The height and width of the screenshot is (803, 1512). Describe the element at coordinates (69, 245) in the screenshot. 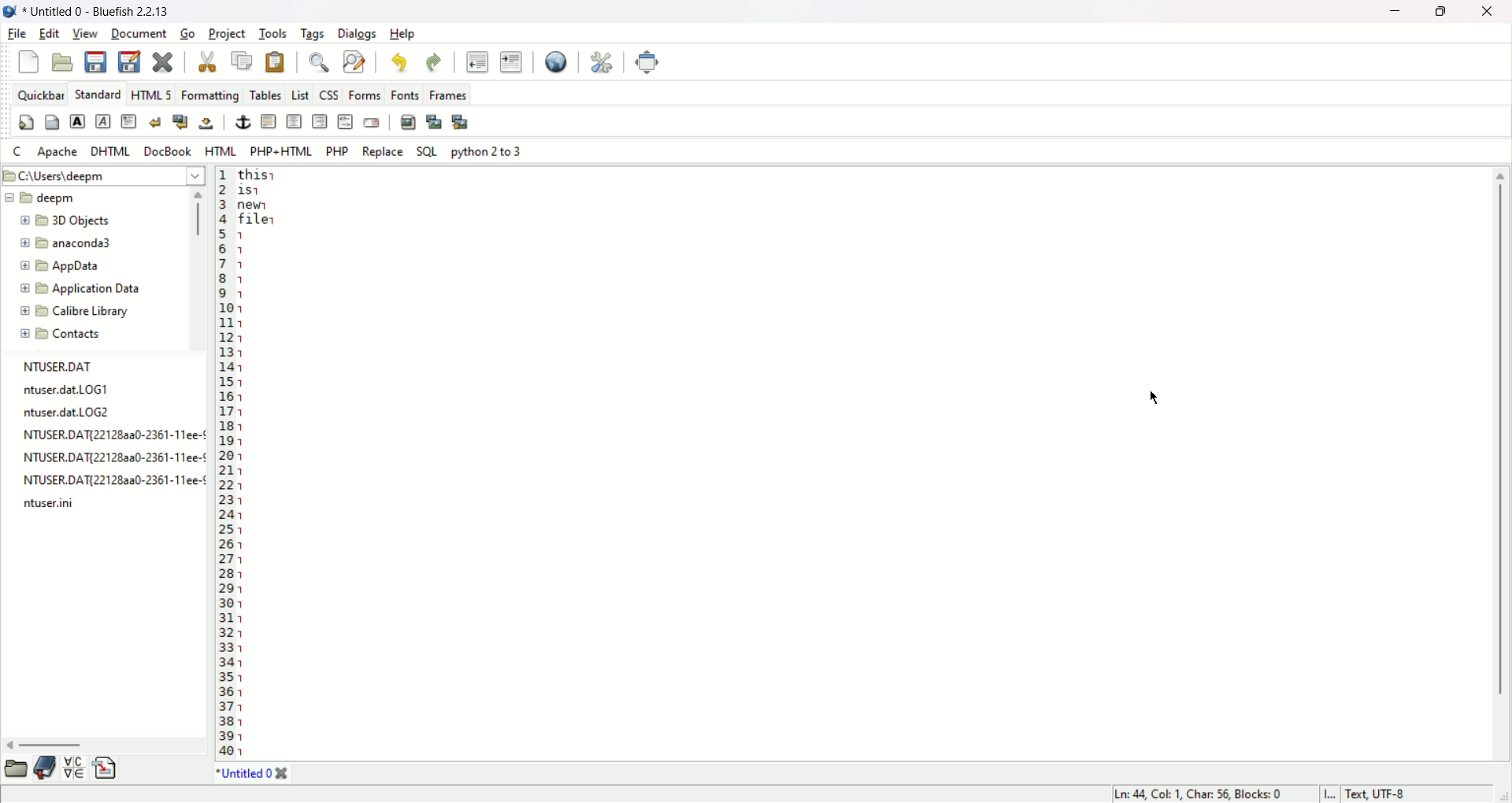

I see `Folder name` at that location.